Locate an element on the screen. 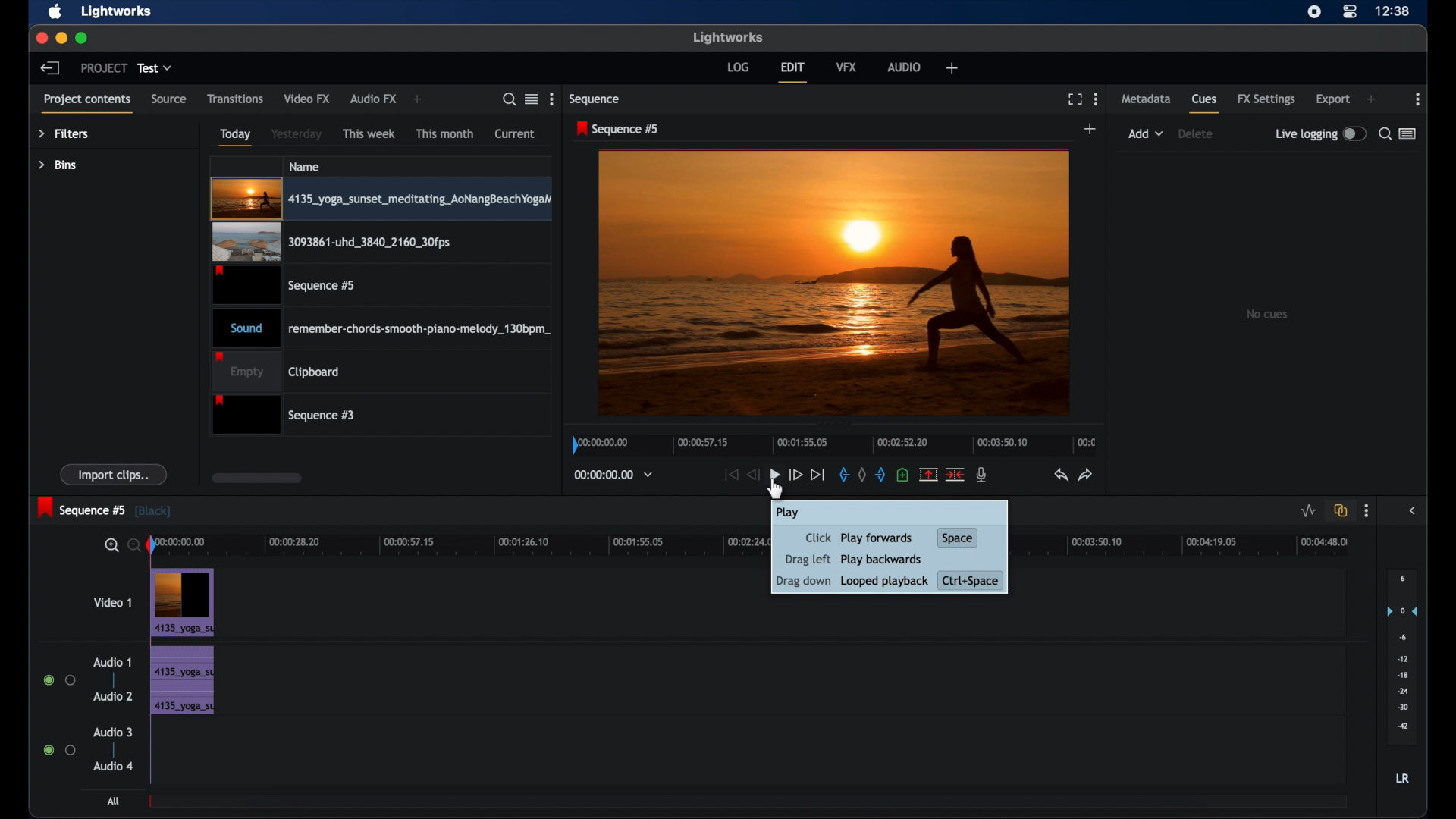 Image resolution: width=1456 pixels, height=819 pixels. audio clip is located at coordinates (381, 328).